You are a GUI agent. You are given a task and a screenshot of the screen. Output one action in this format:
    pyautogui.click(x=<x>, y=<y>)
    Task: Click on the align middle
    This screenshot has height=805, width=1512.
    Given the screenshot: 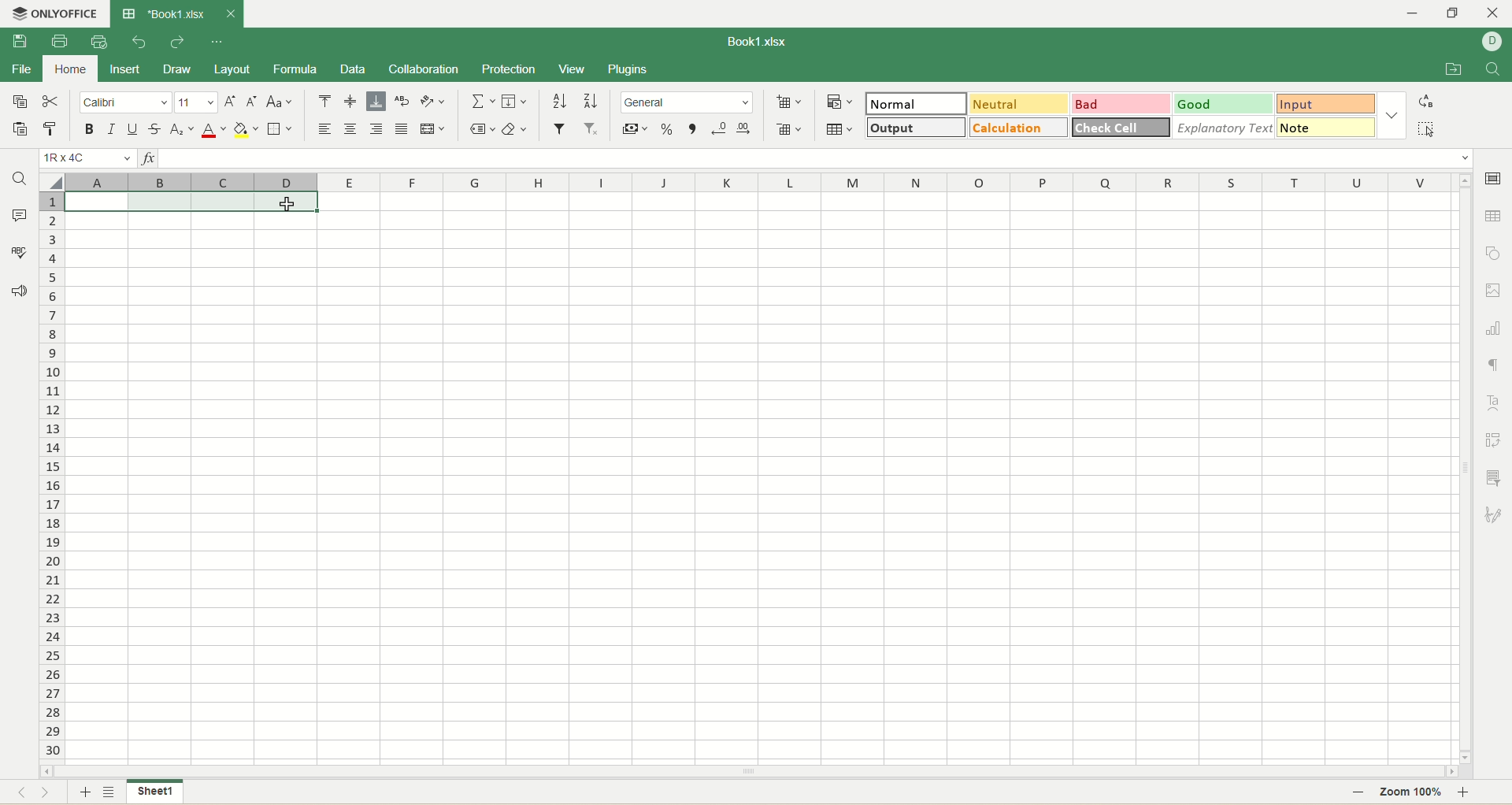 What is the action you would take?
    pyautogui.click(x=353, y=102)
    